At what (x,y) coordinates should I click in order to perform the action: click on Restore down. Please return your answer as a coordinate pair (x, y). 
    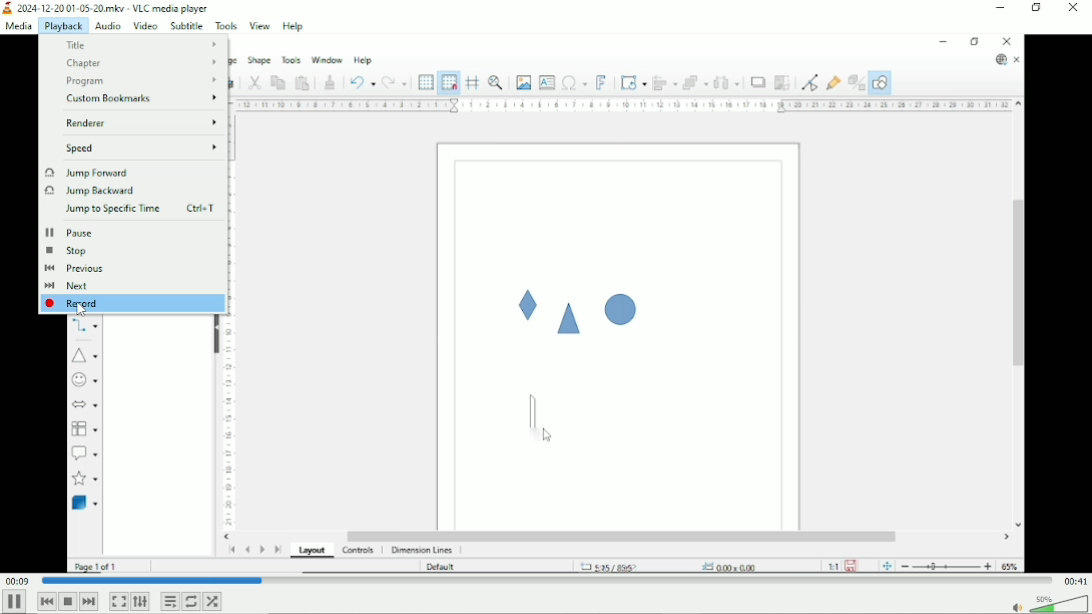
    Looking at the image, I should click on (1037, 8).